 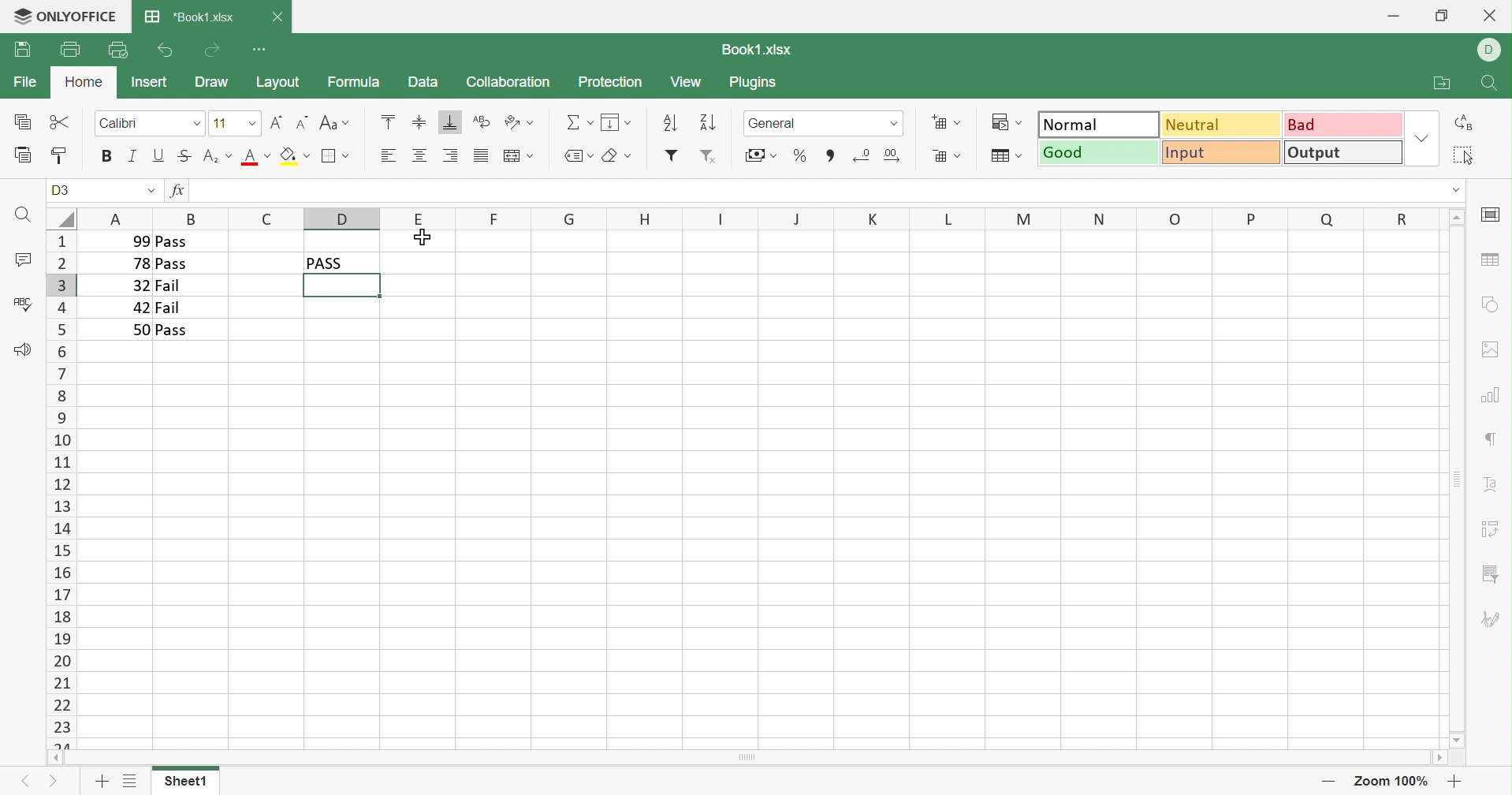 What do you see at coordinates (234, 123) in the screenshot?
I see `Font size` at bounding box center [234, 123].